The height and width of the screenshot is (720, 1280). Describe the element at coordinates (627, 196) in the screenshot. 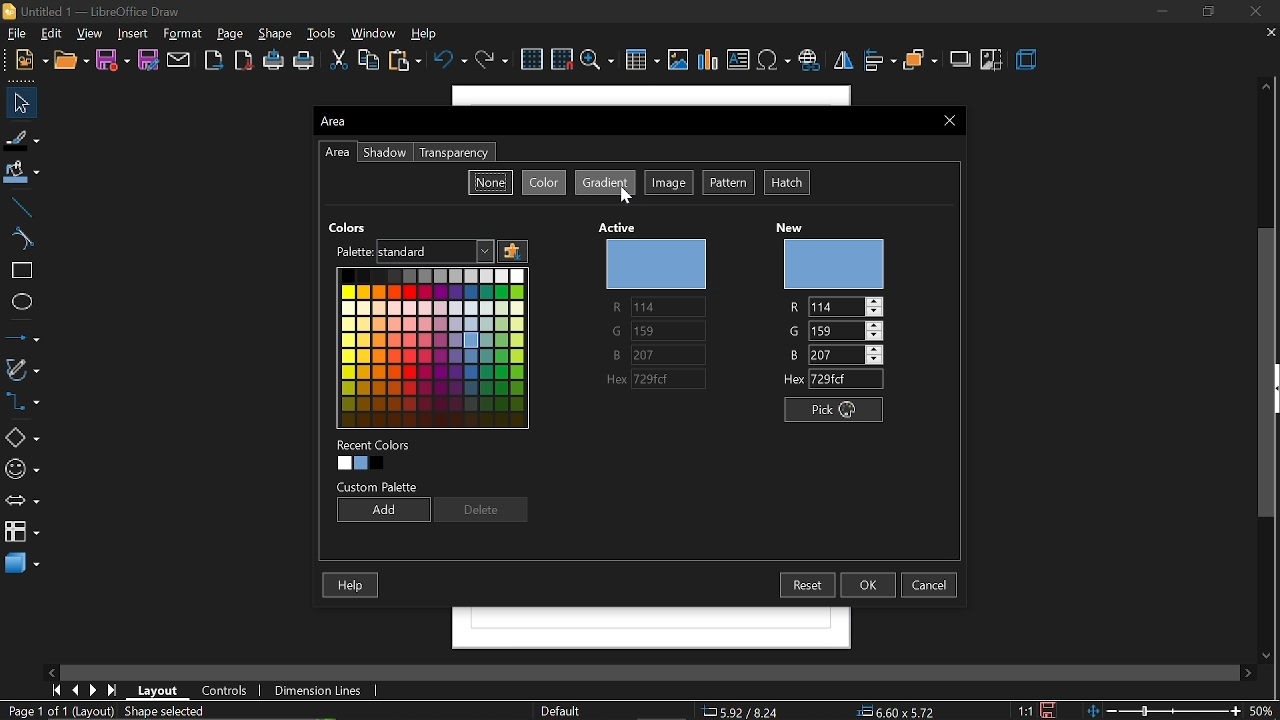

I see `Cursor` at that location.